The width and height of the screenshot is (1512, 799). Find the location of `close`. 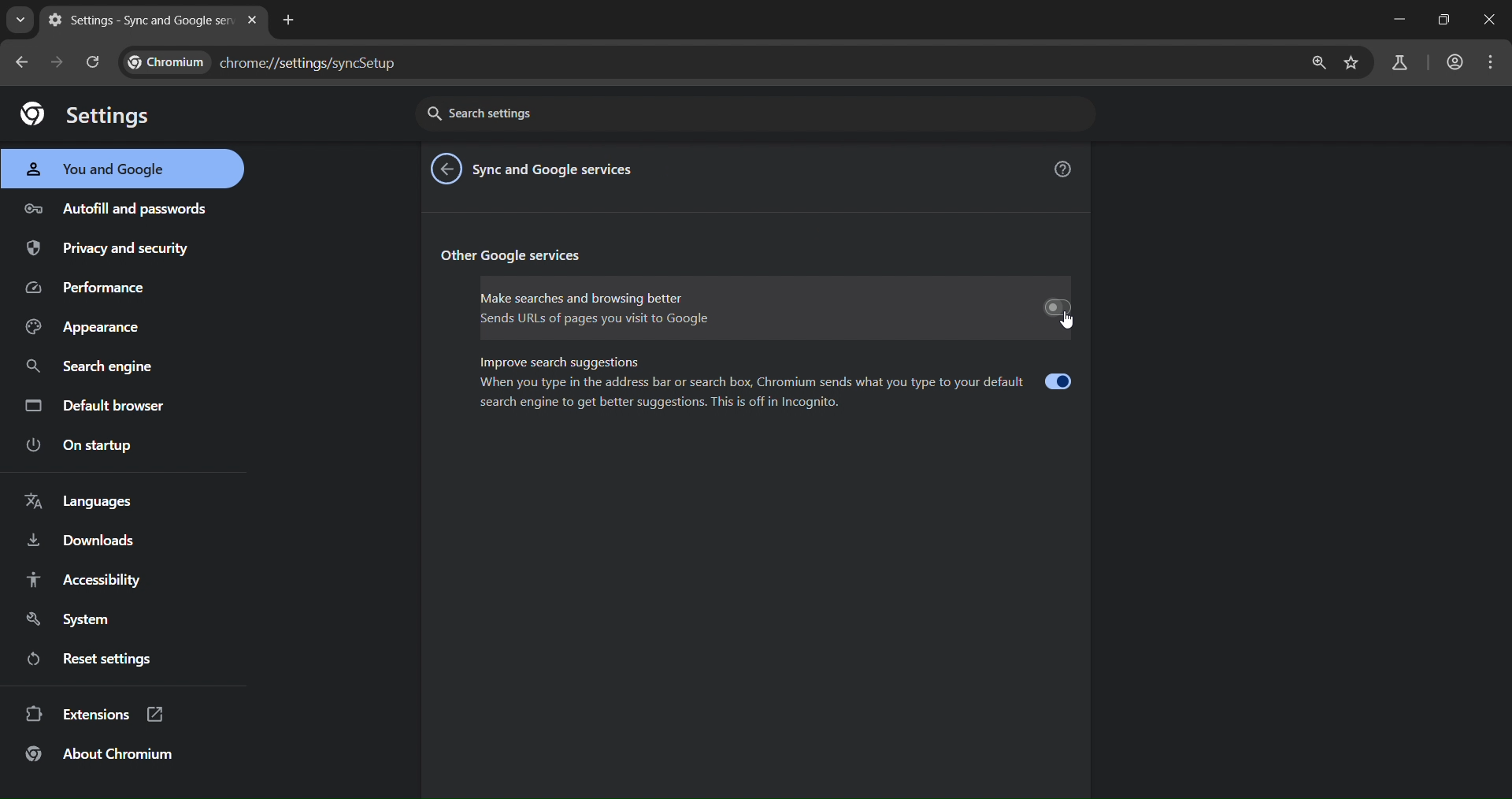

close is located at coordinates (1489, 22).